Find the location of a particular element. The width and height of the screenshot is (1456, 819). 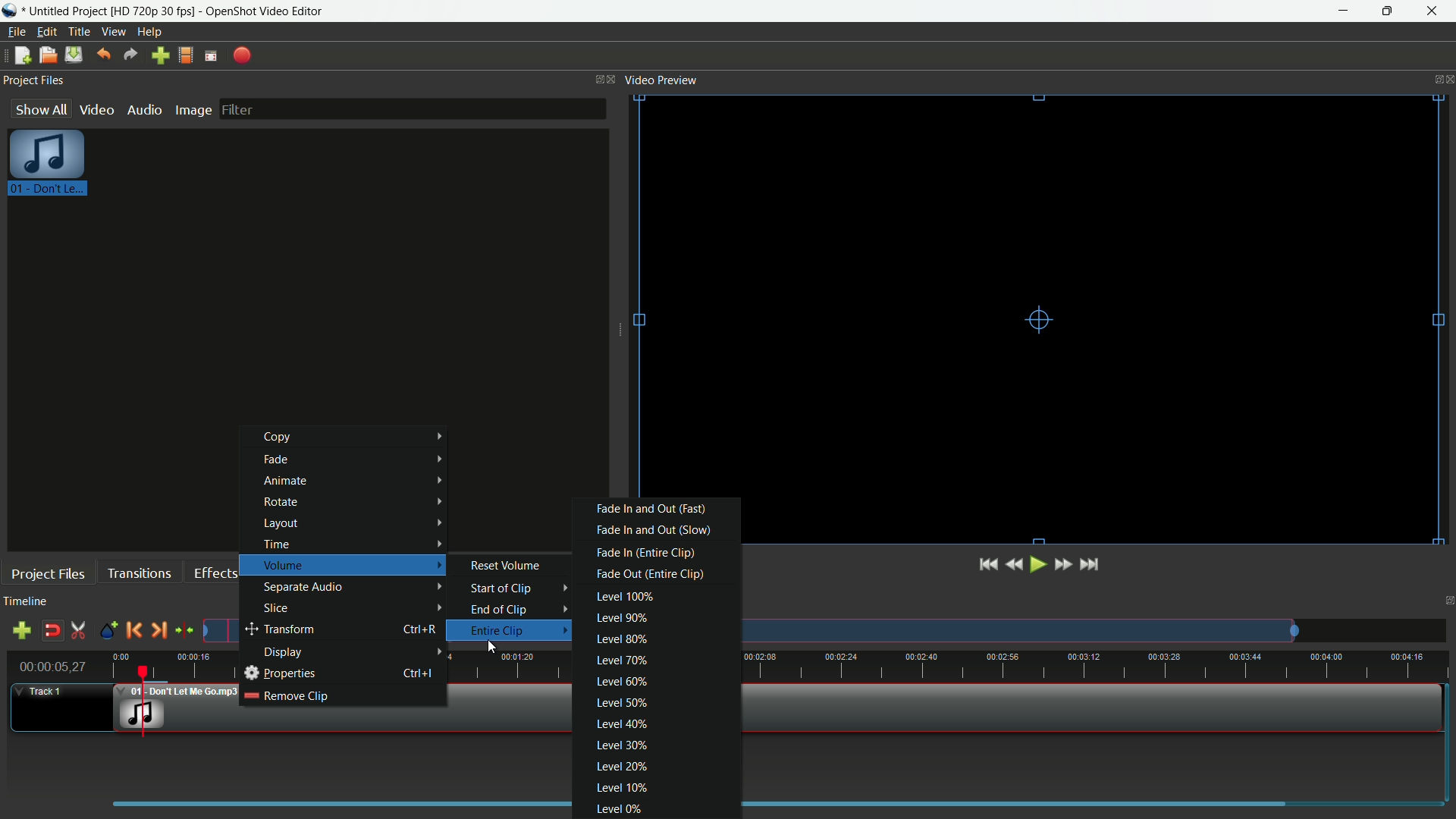

remove clip is located at coordinates (287, 695).